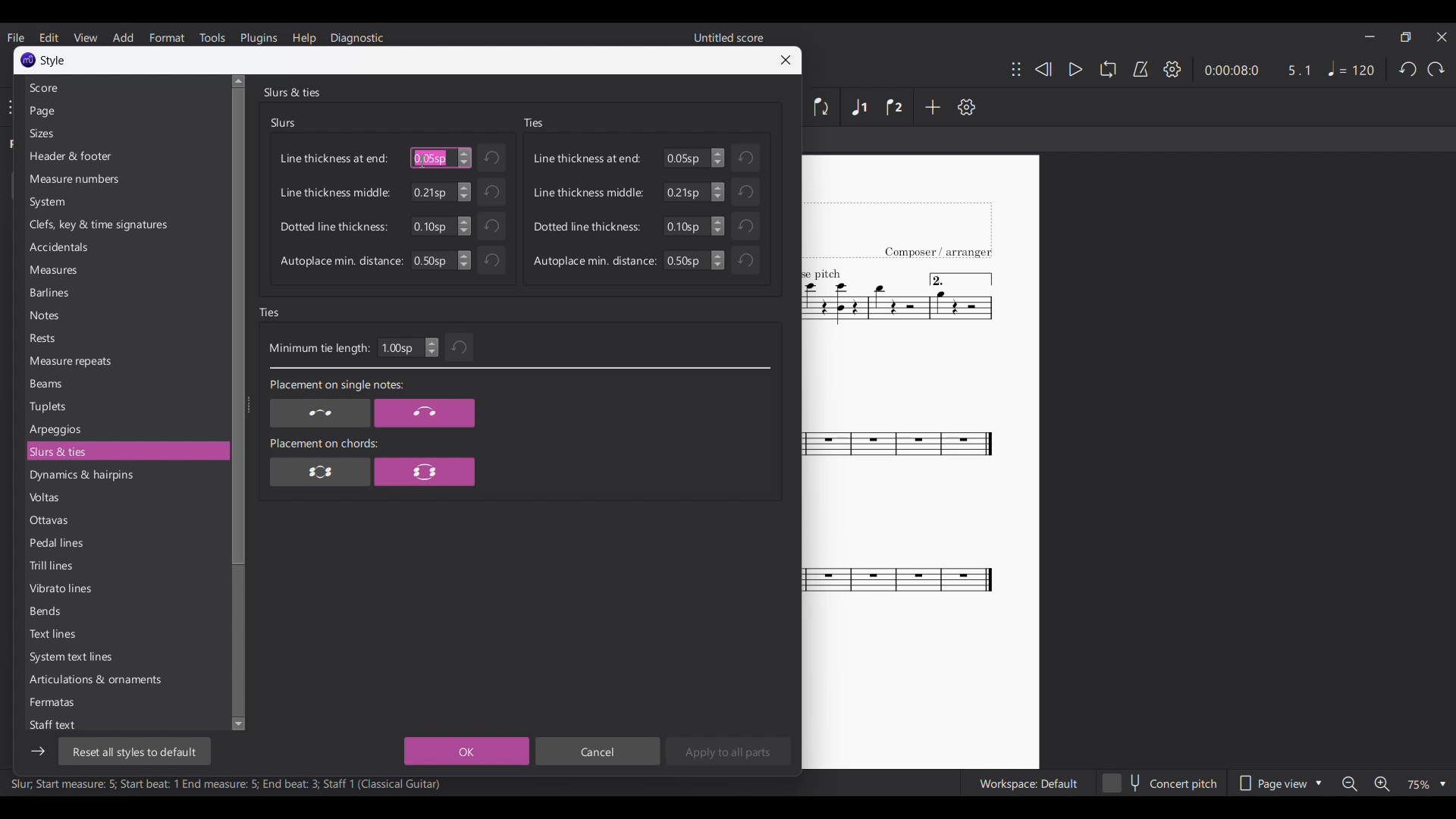 Image resolution: width=1456 pixels, height=819 pixels. Describe the element at coordinates (125, 611) in the screenshot. I see `Bends` at that location.